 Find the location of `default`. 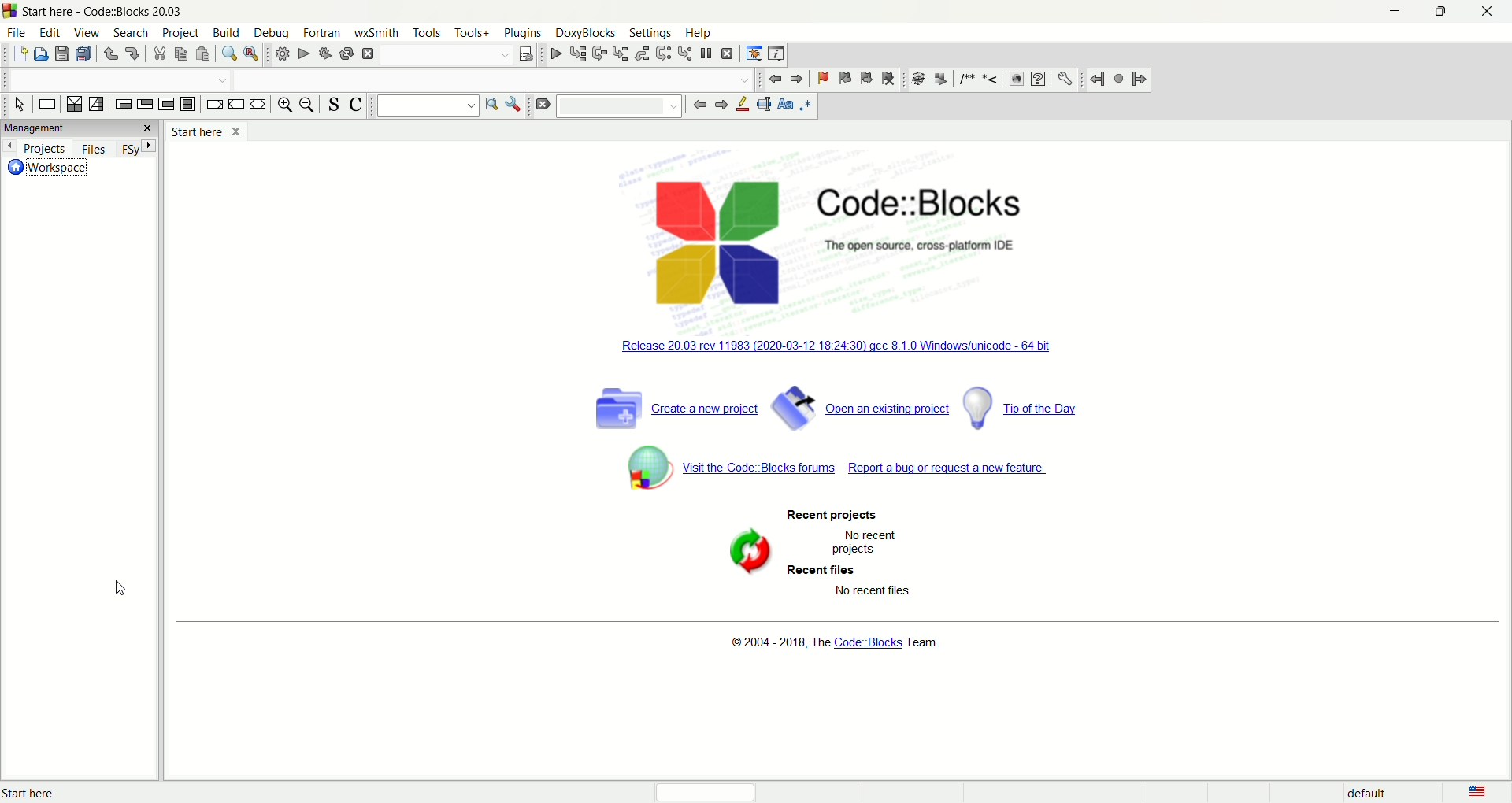

default is located at coordinates (1369, 794).